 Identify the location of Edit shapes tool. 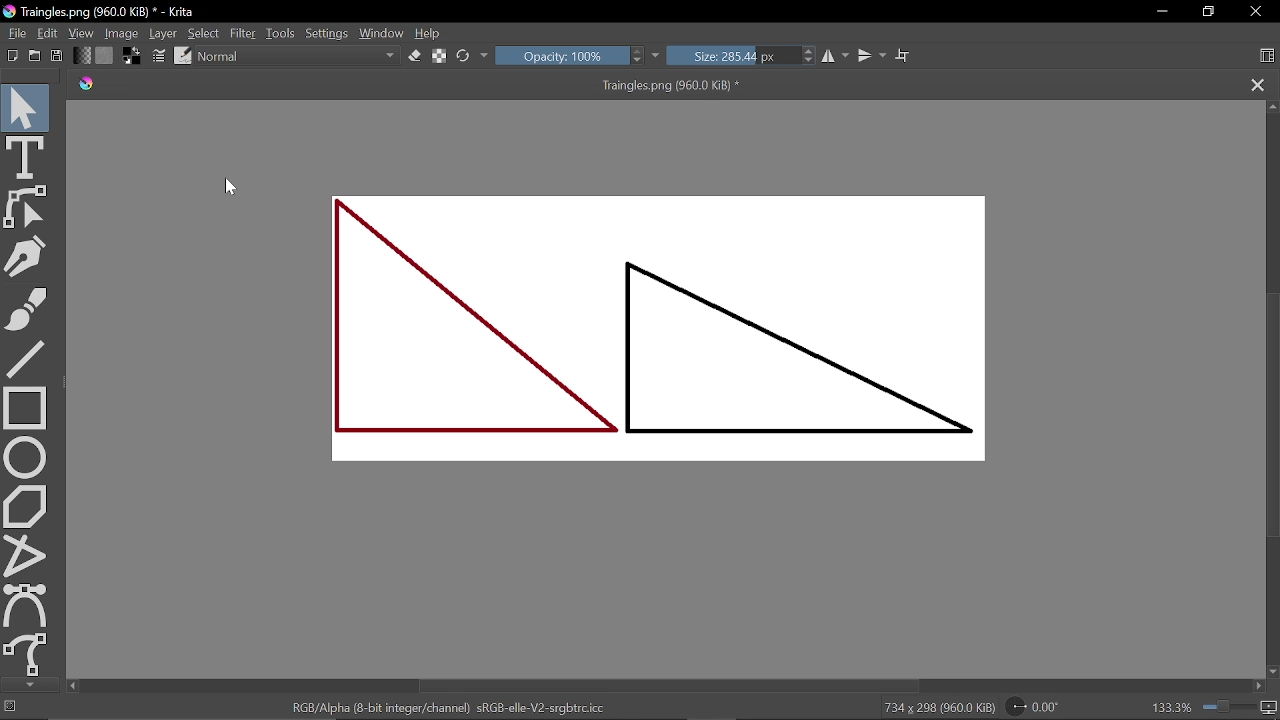
(27, 207).